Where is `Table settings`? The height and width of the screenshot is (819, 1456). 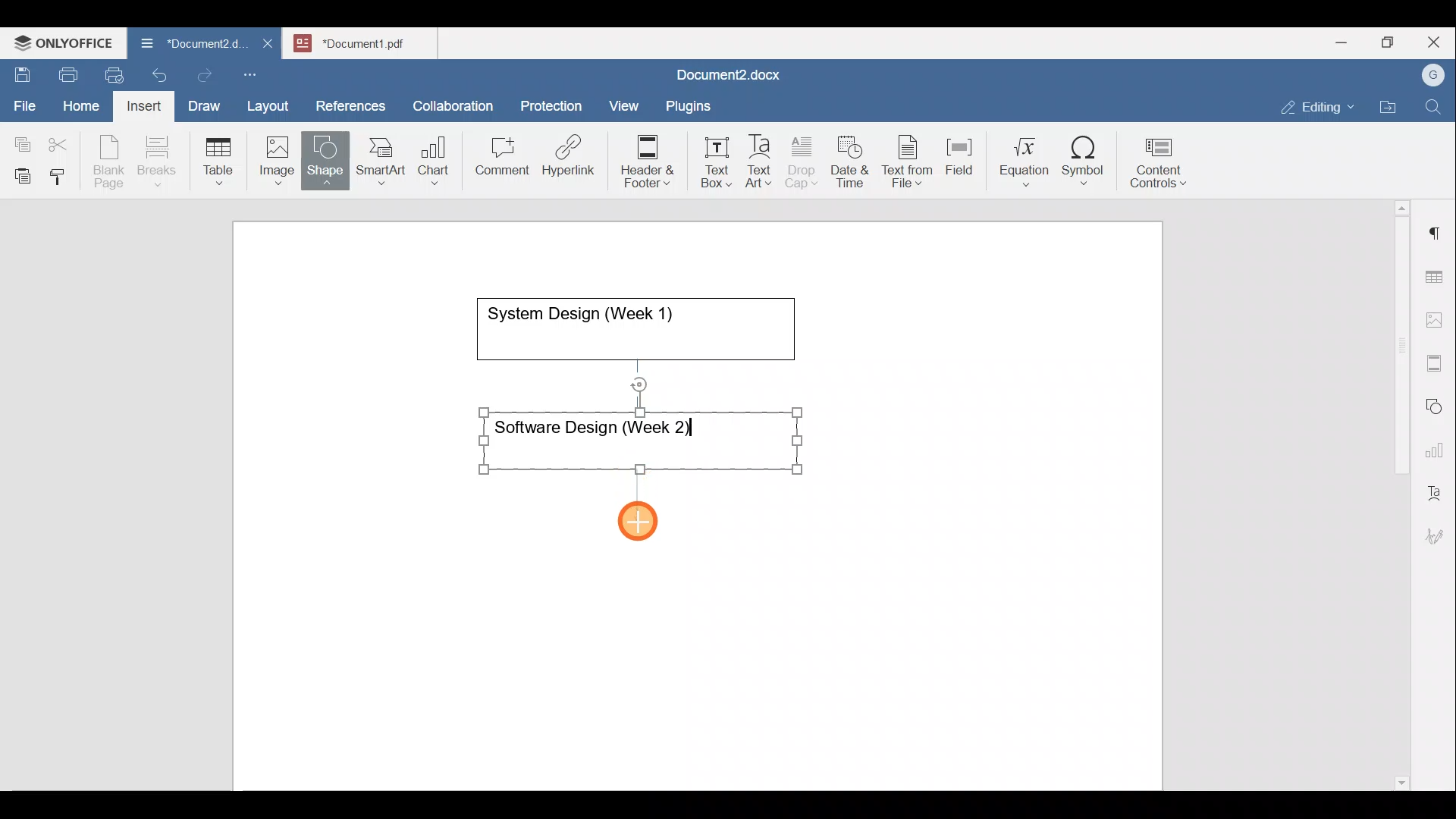
Table settings is located at coordinates (1437, 275).